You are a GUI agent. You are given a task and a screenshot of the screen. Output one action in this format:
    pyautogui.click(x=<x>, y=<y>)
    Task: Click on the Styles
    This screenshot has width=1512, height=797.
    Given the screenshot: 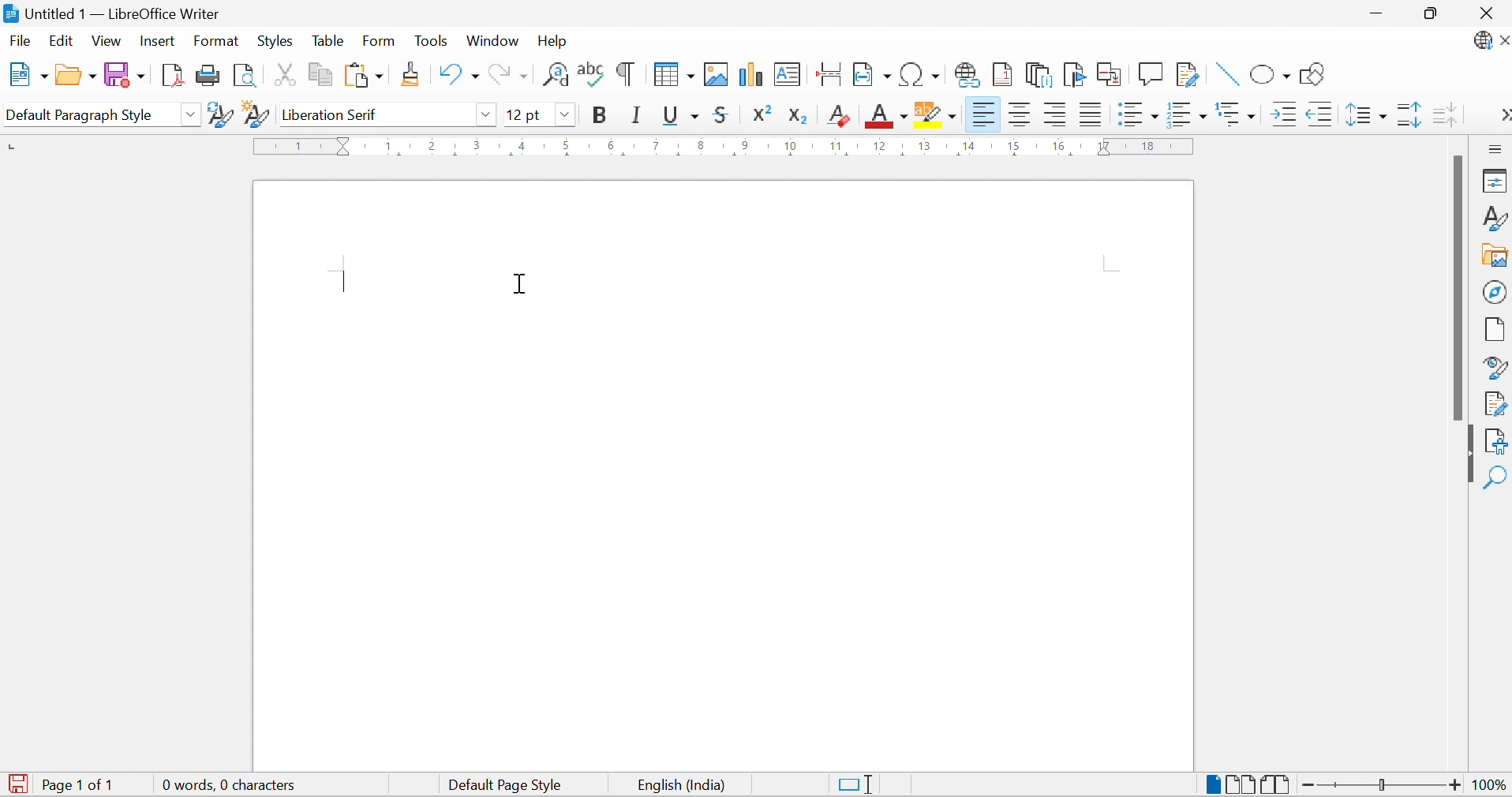 What is the action you would take?
    pyautogui.click(x=1494, y=216)
    